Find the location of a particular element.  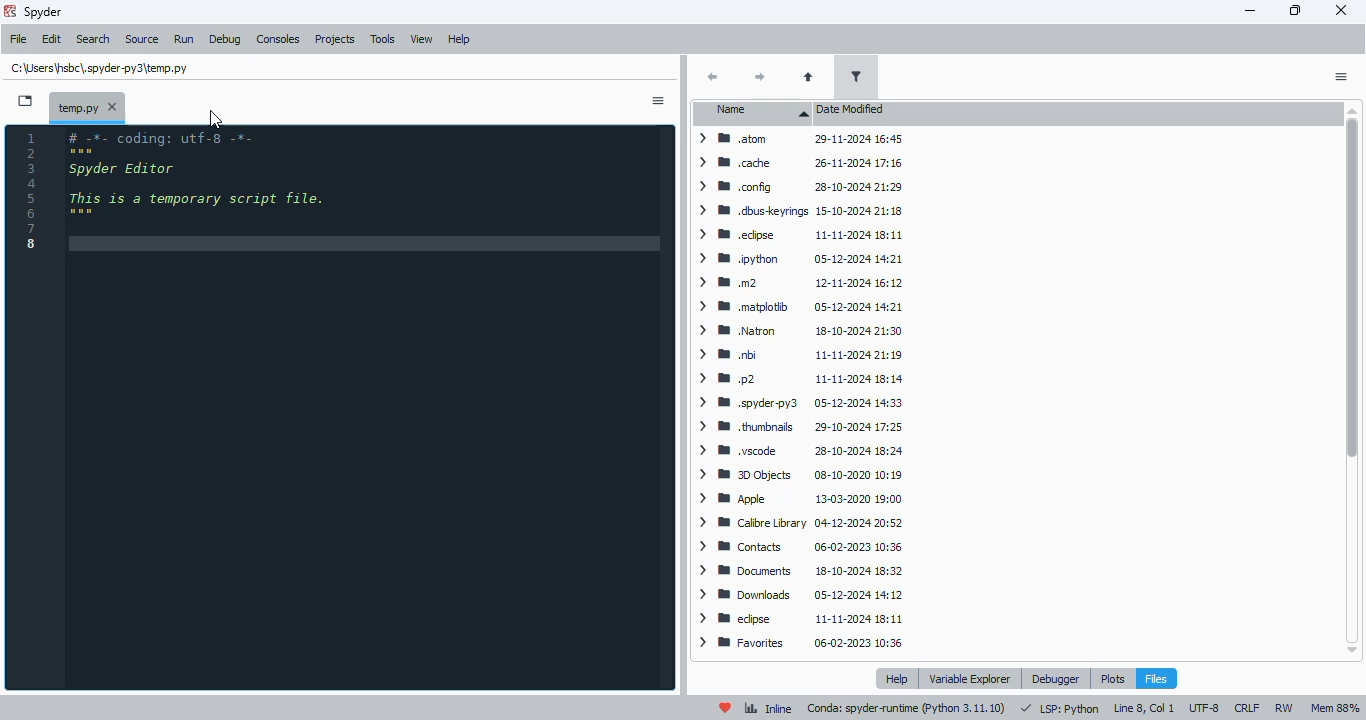

line numbers is located at coordinates (31, 192).